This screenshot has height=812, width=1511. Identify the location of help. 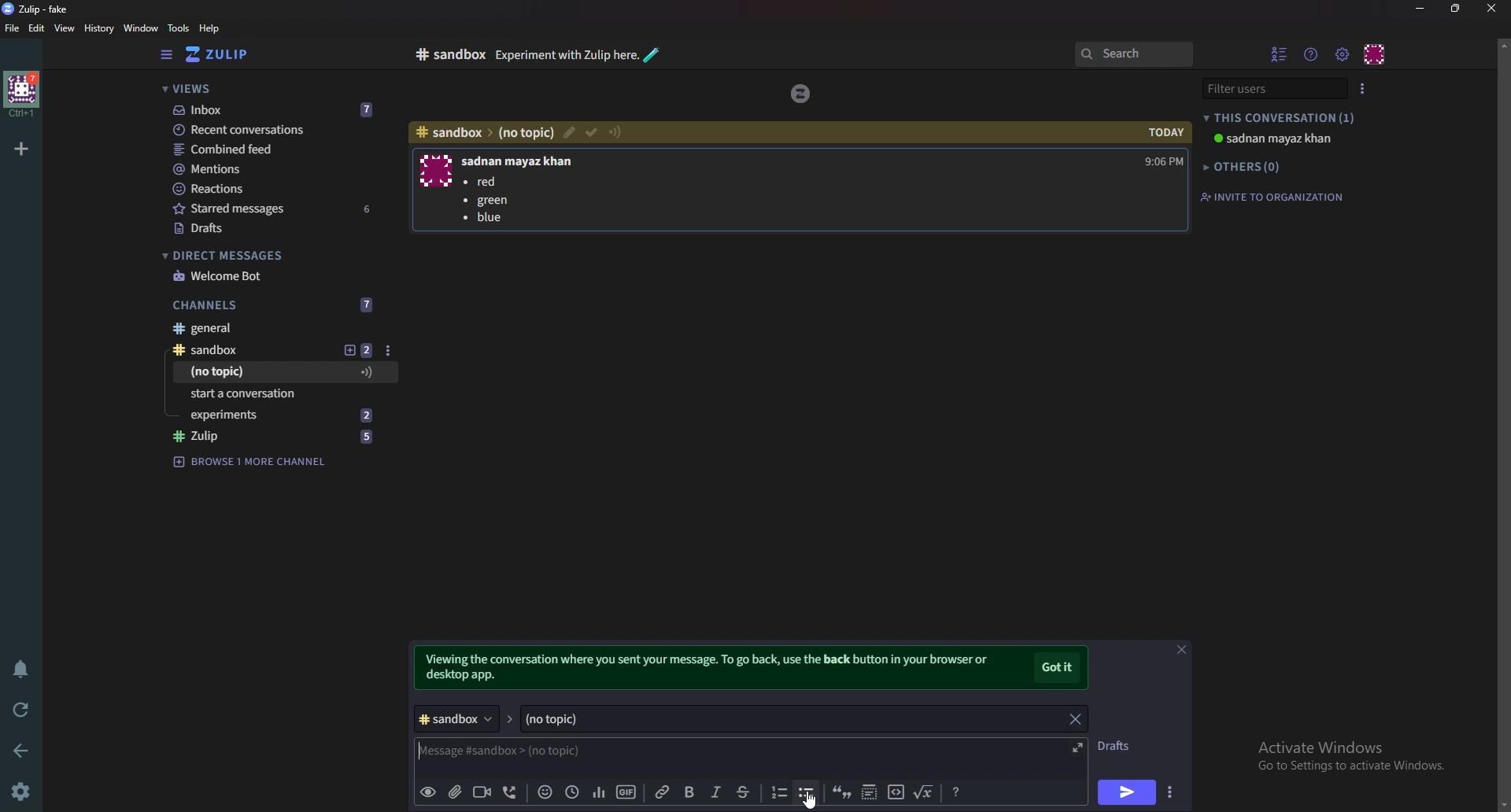
(210, 28).